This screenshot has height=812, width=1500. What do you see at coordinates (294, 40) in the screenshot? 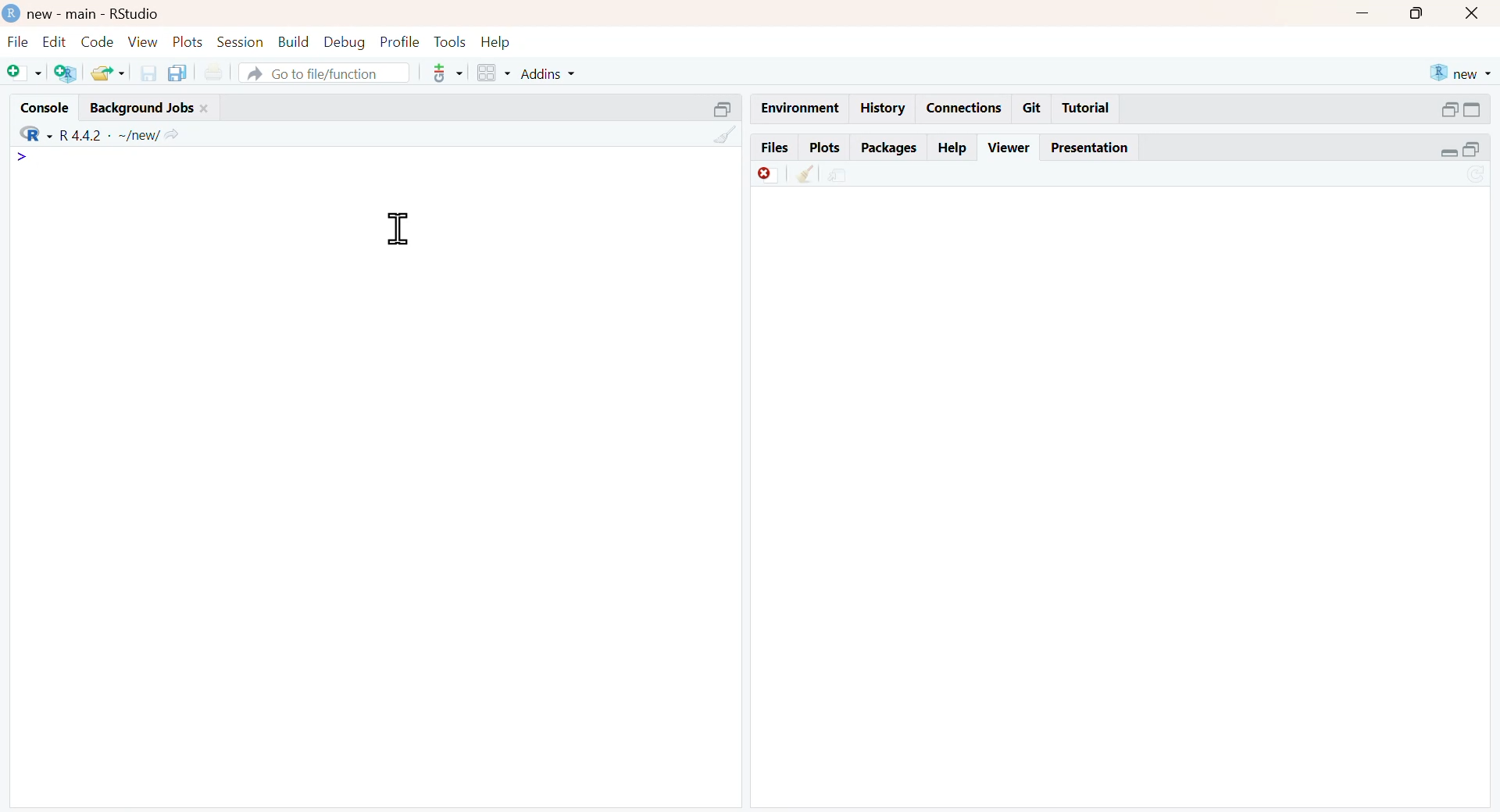
I see `Build` at bounding box center [294, 40].